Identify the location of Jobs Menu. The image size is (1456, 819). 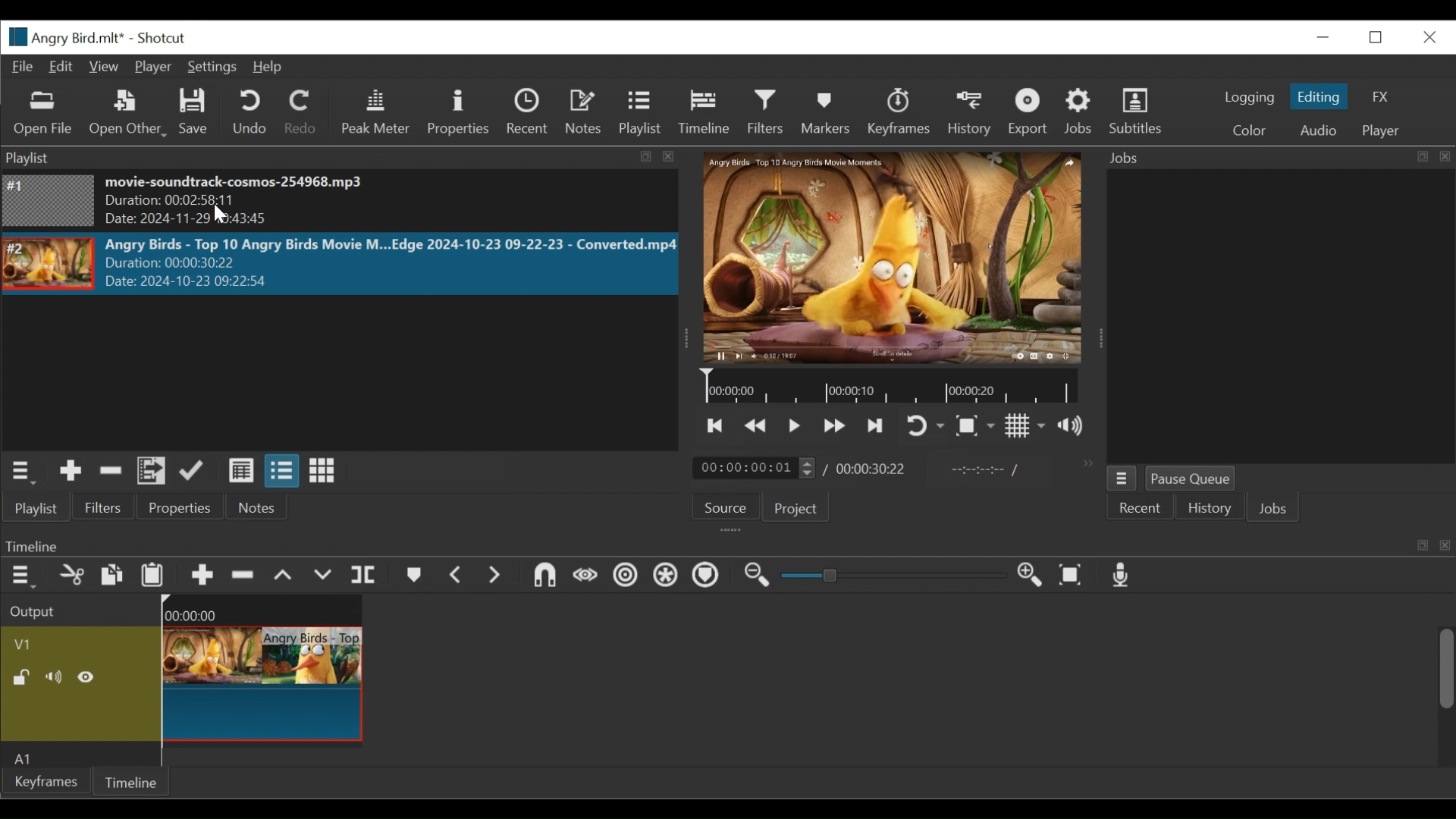
(1122, 478).